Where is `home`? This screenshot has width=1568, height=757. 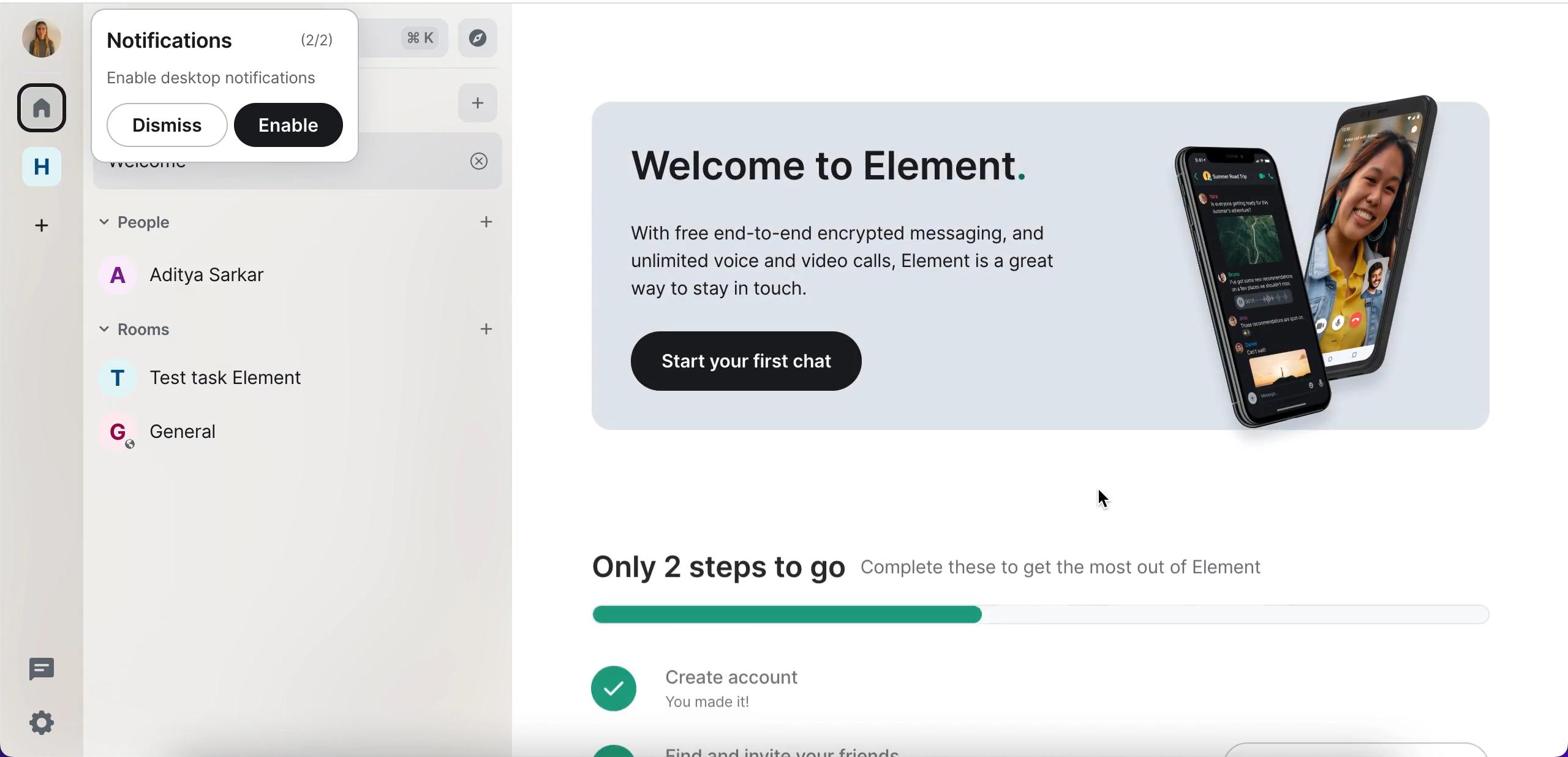 home is located at coordinates (45, 165).